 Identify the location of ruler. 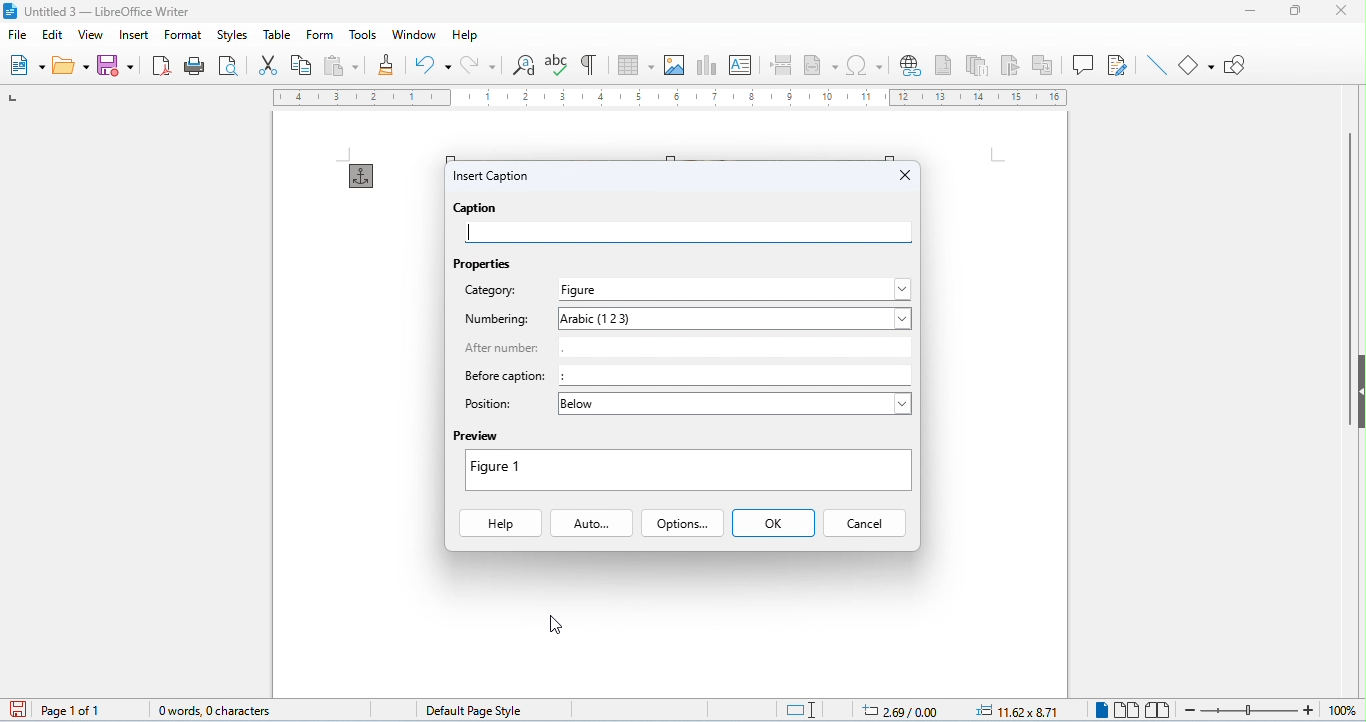
(671, 98).